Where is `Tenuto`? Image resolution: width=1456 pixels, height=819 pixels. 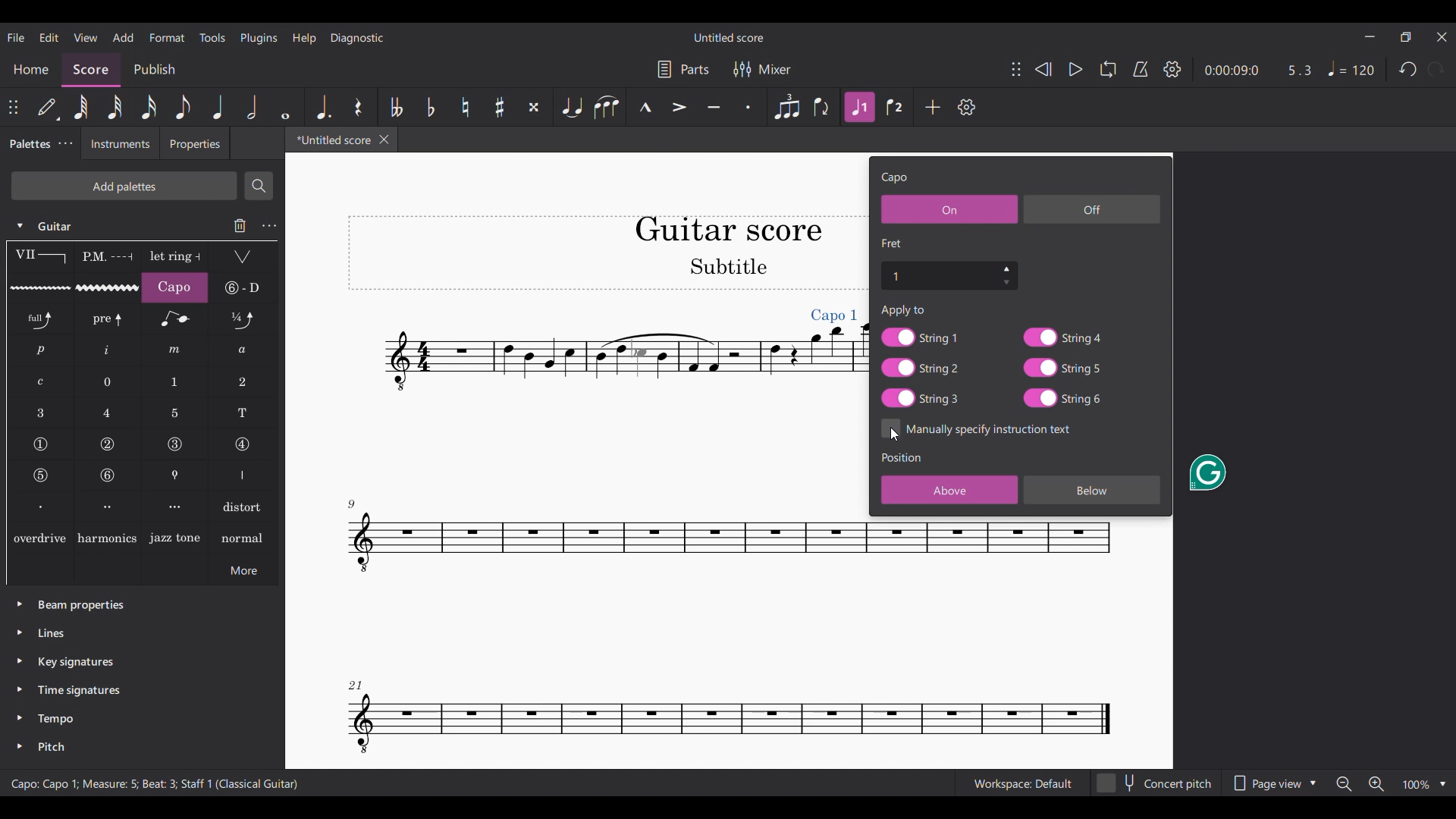 Tenuto is located at coordinates (714, 107).